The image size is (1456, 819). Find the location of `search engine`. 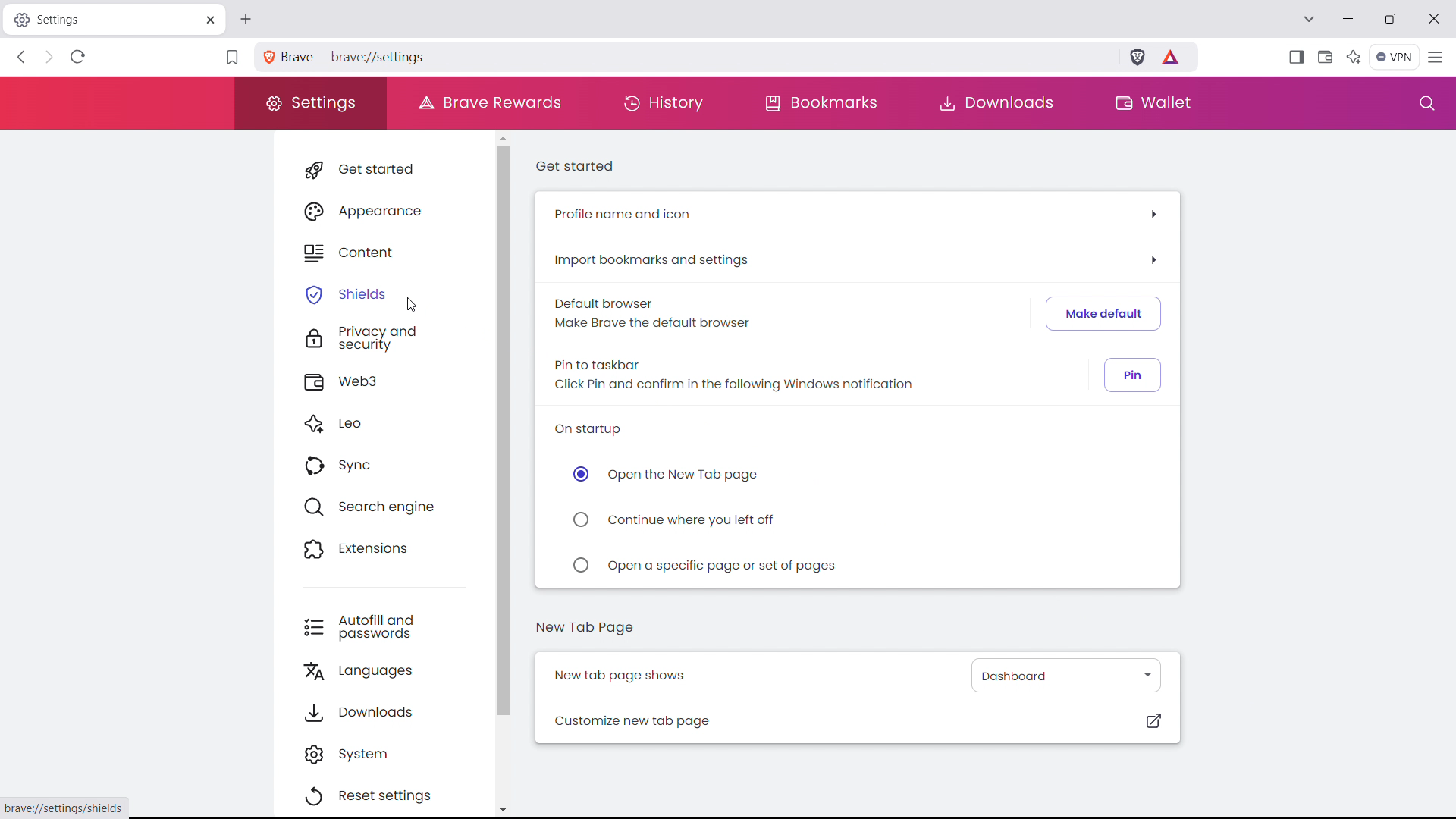

search engine is located at coordinates (384, 505).